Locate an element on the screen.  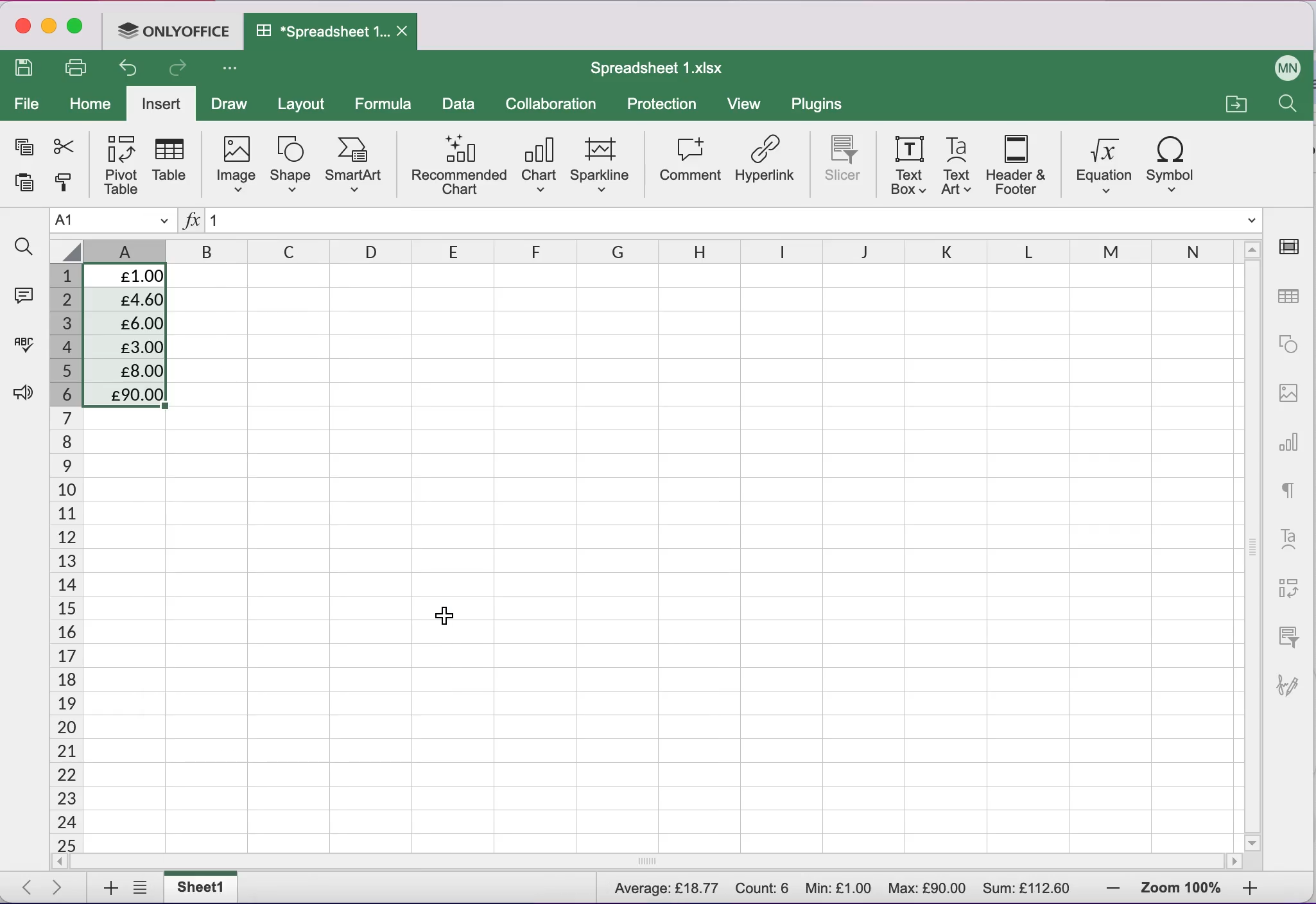
cells numbers is located at coordinates (62, 558).